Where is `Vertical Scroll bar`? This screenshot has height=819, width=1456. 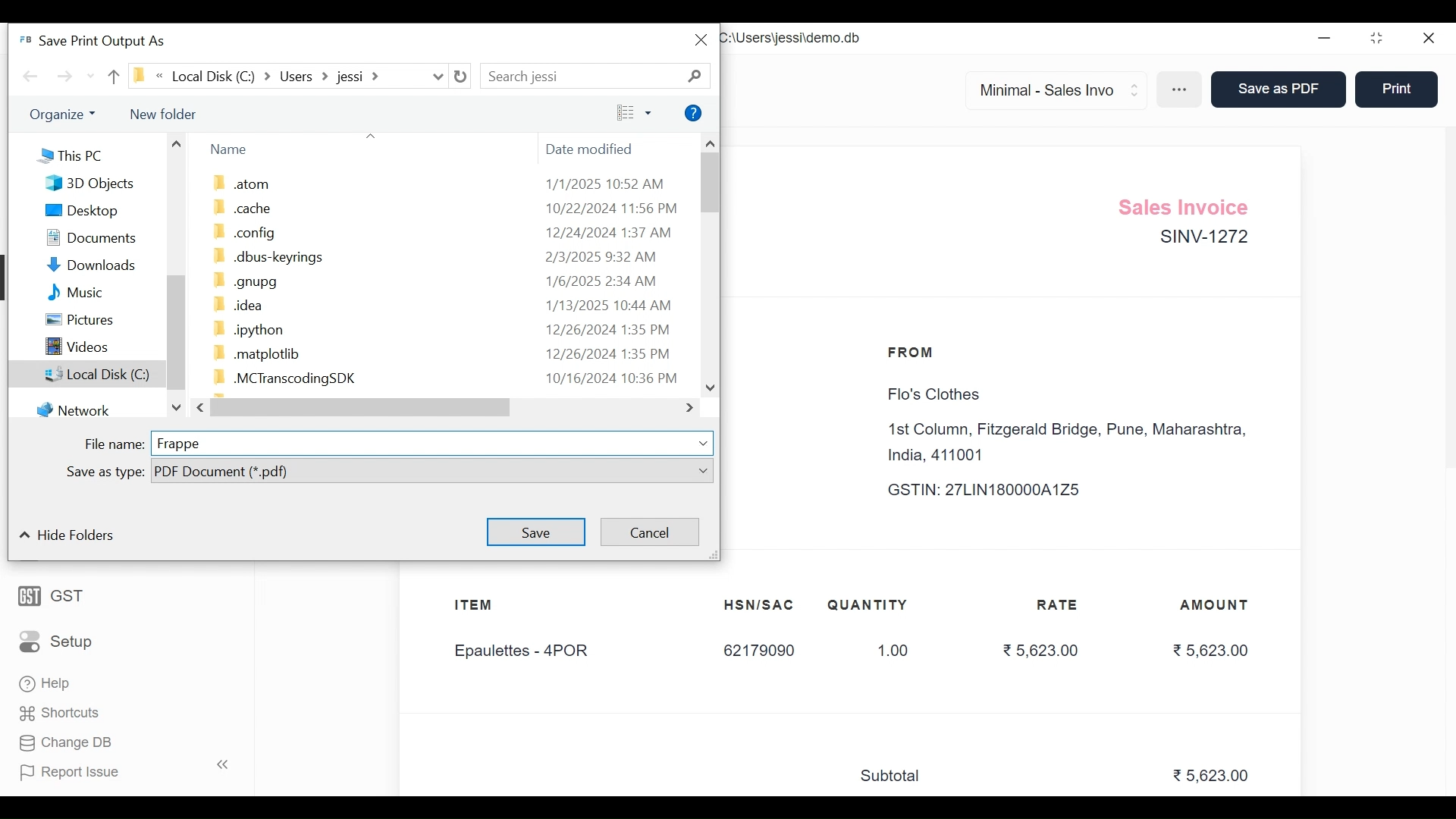 Vertical Scroll bar is located at coordinates (708, 182).